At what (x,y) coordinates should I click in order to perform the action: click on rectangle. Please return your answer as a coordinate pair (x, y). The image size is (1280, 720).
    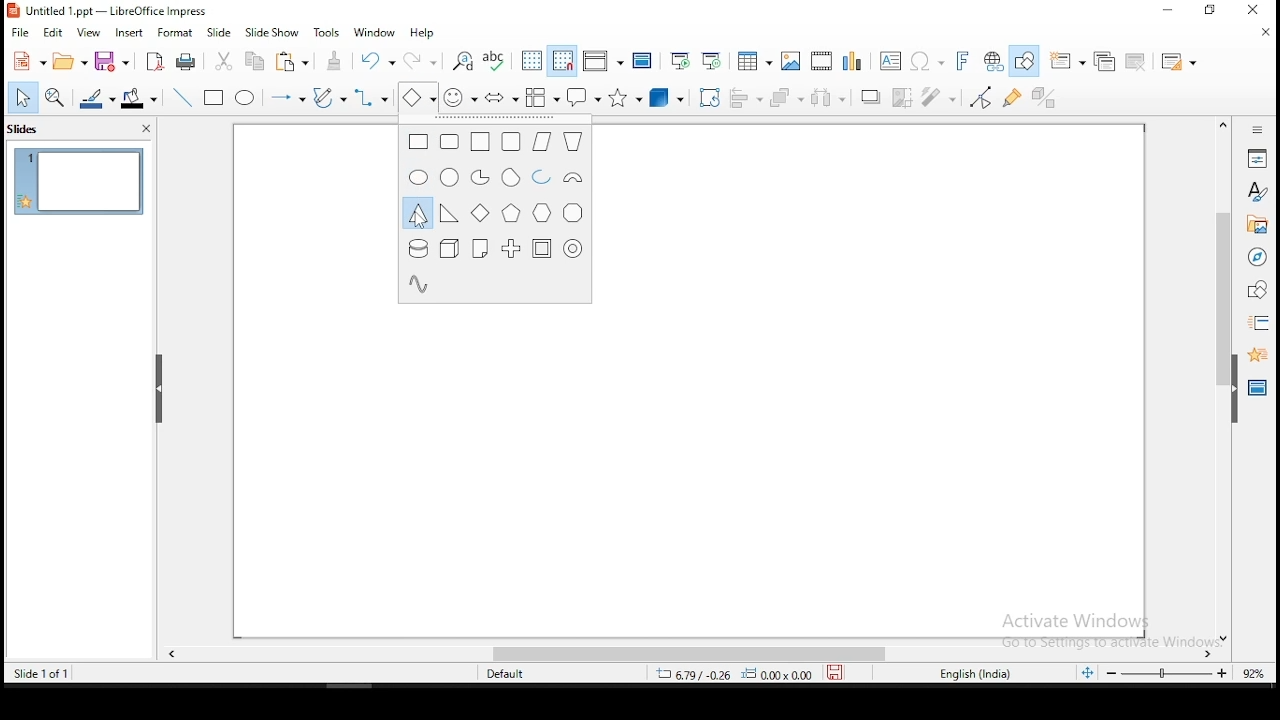
    Looking at the image, I should click on (215, 99).